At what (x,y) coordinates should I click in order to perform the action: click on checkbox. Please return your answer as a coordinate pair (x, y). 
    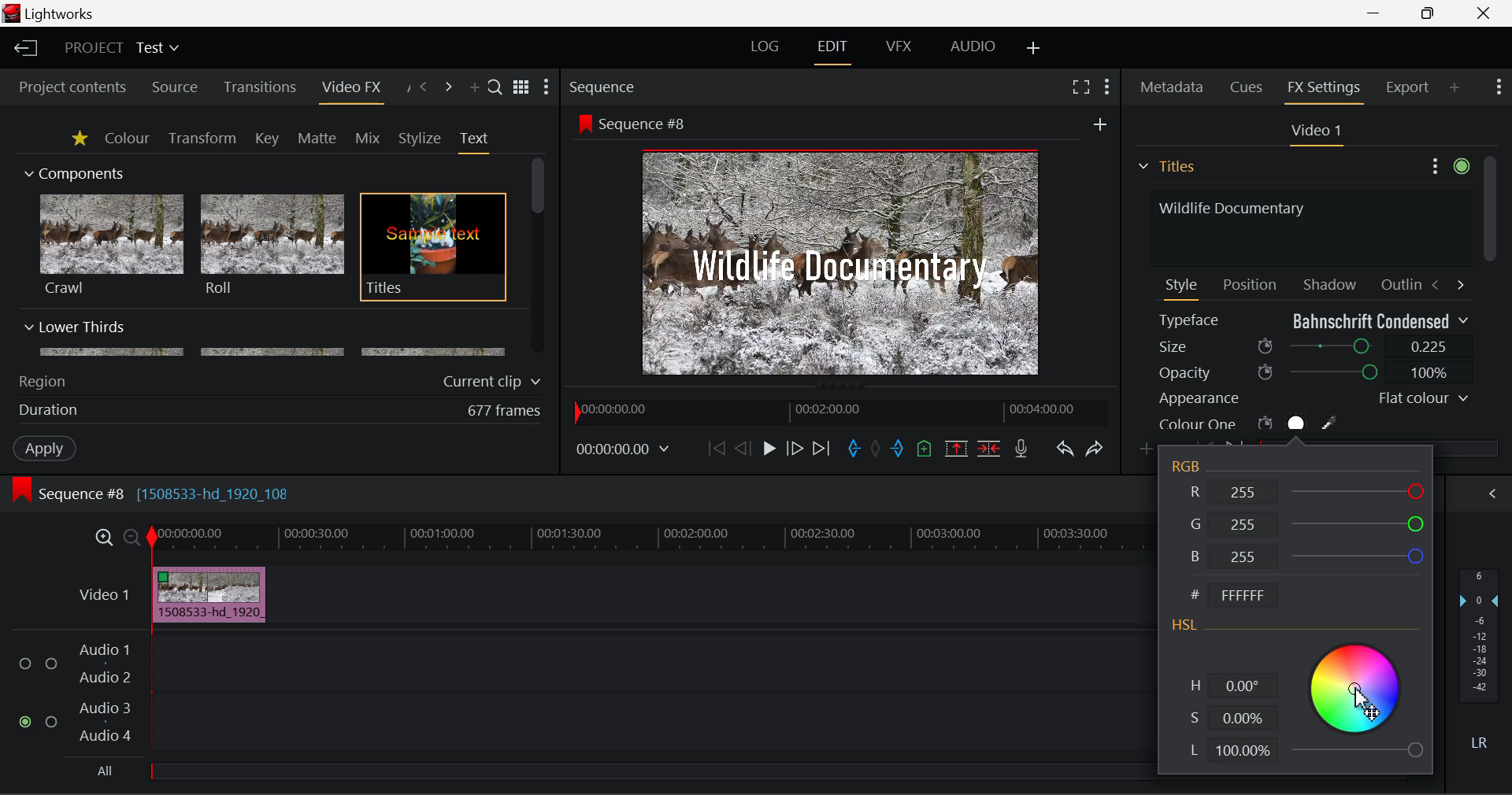
    Looking at the image, I should click on (54, 723).